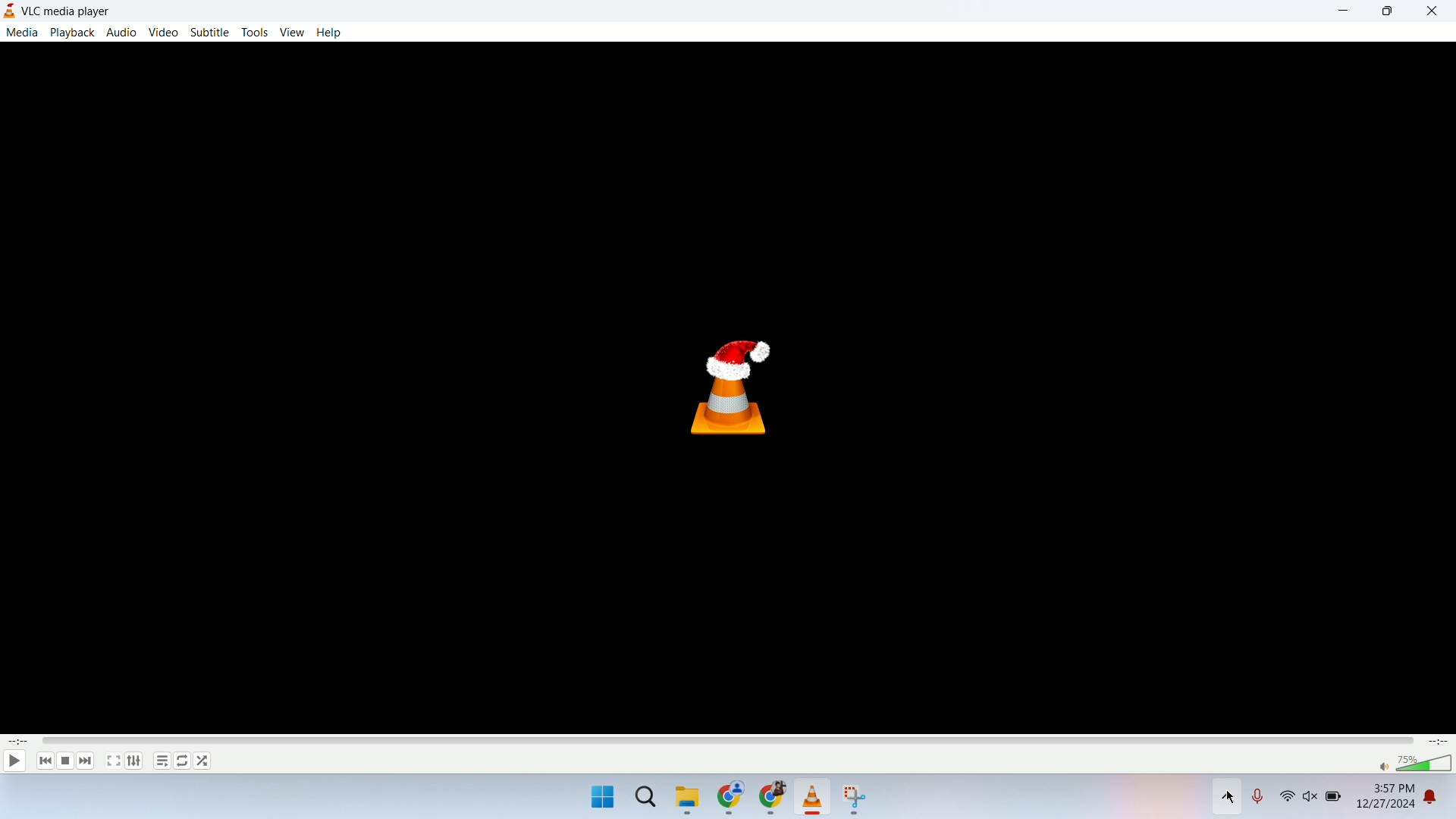  Describe the element at coordinates (78, 11) in the screenshot. I see `VLC media player` at that location.